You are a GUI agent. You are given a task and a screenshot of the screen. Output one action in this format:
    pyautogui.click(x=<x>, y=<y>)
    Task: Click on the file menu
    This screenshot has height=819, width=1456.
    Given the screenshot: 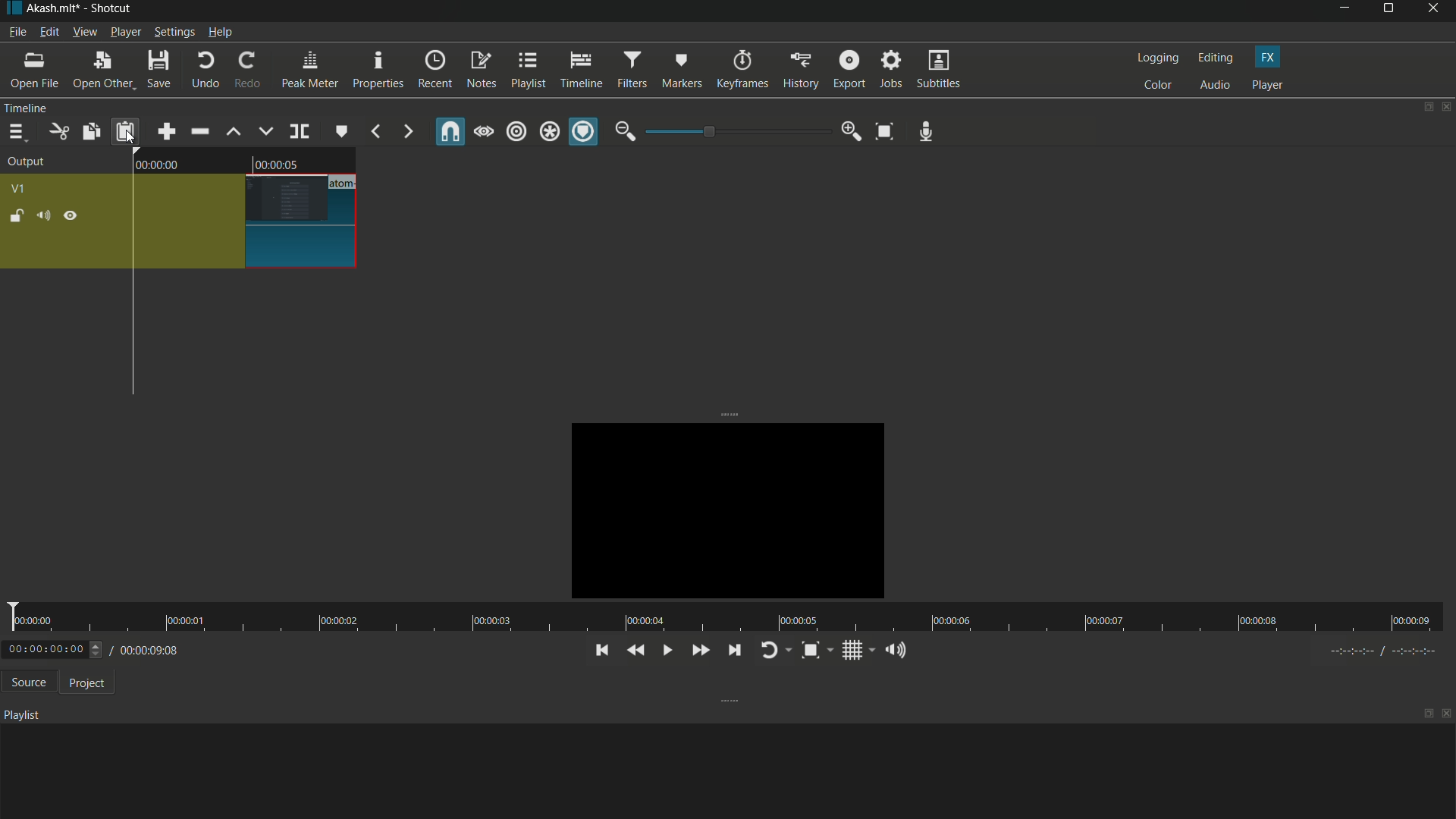 What is the action you would take?
    pyautogui.click(x=17, y=32)
    